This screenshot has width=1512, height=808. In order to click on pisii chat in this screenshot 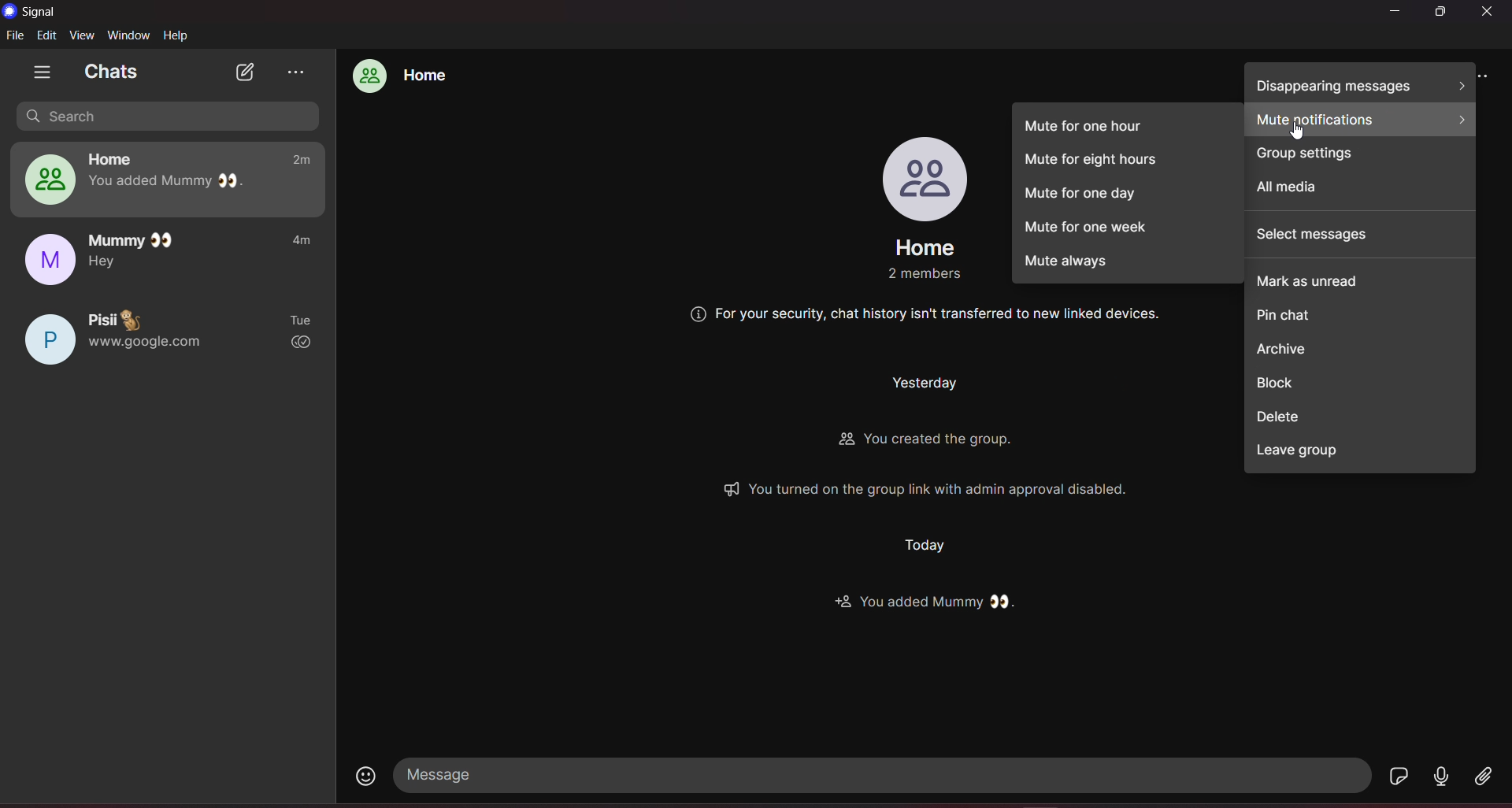, I will do `click(169, 335)`.